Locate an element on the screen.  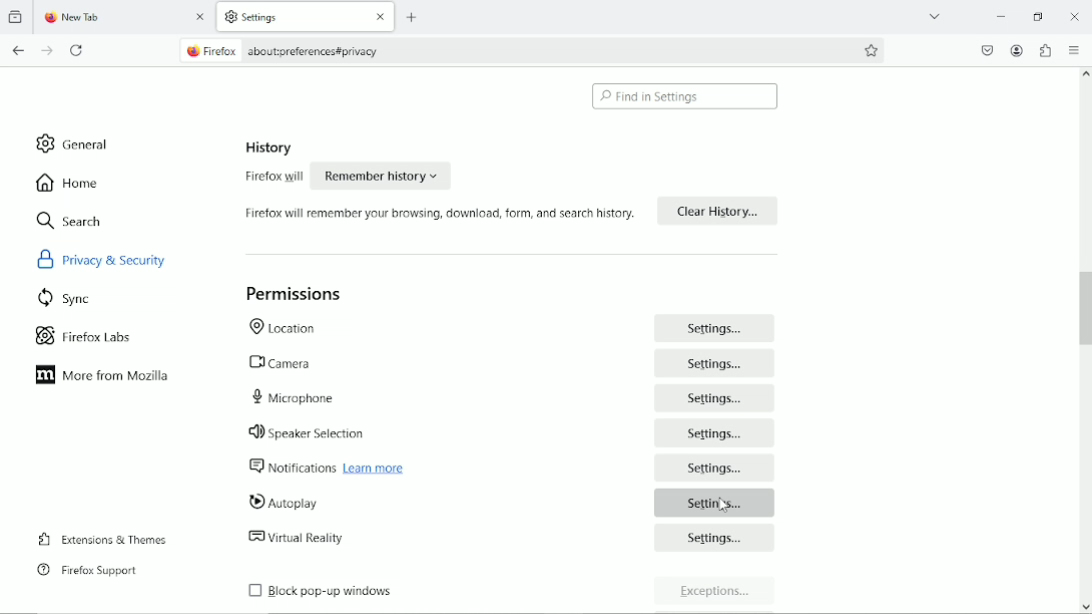
autoplay is located at coordinates (361, 503).